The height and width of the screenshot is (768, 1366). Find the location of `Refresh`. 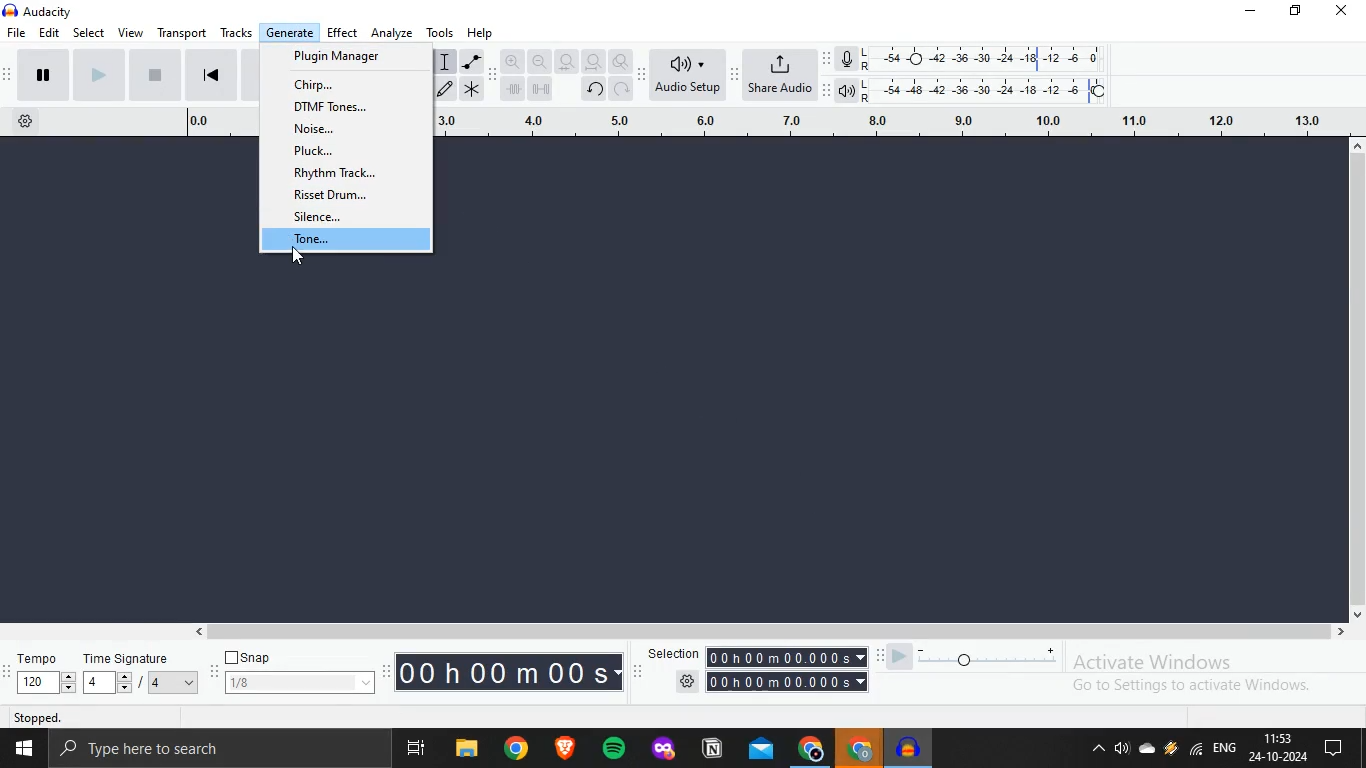

Refresh is located at coordinates (622, 91).